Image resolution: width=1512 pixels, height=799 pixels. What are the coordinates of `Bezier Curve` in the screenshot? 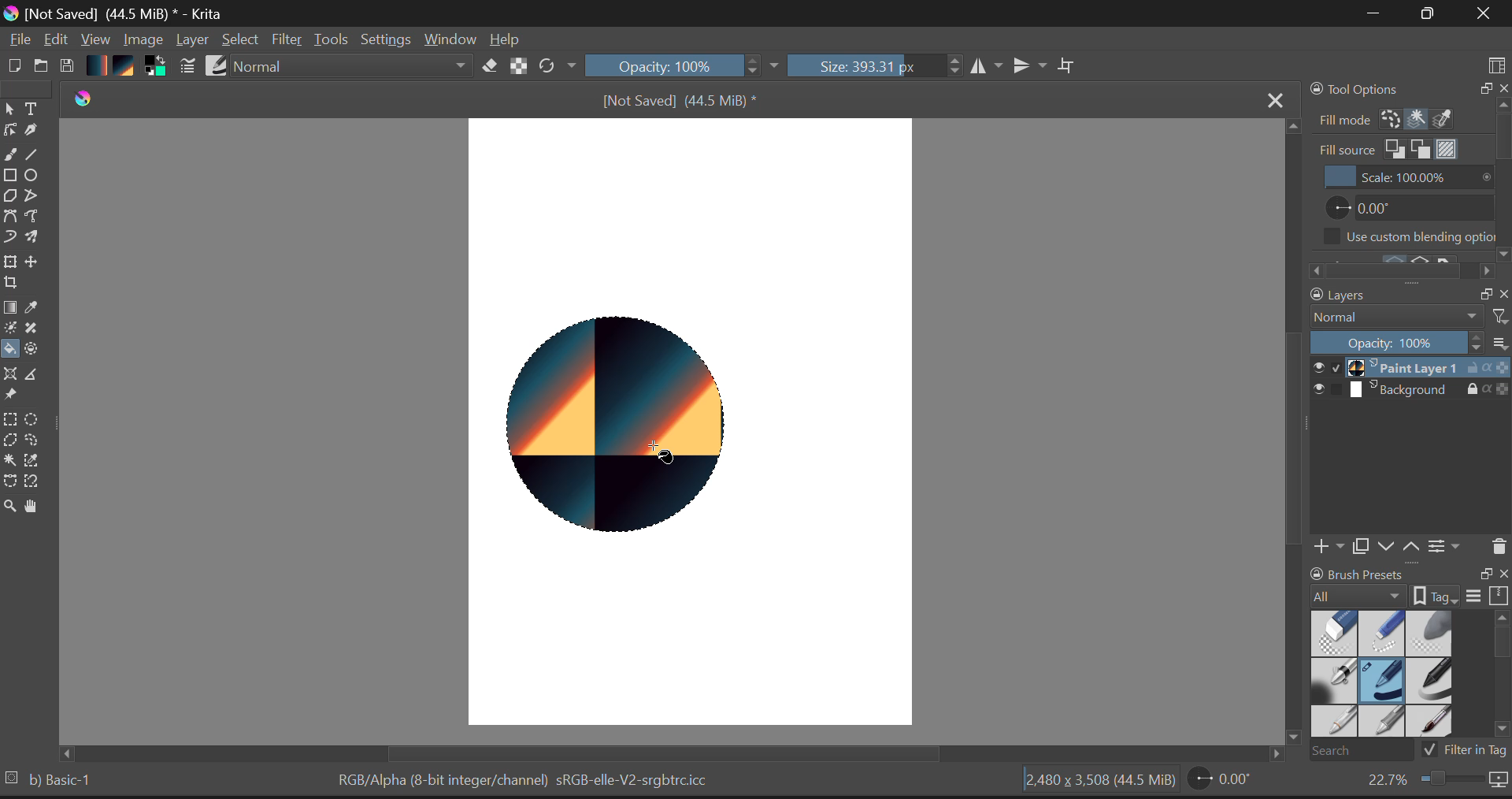 It's located at (11, 217).